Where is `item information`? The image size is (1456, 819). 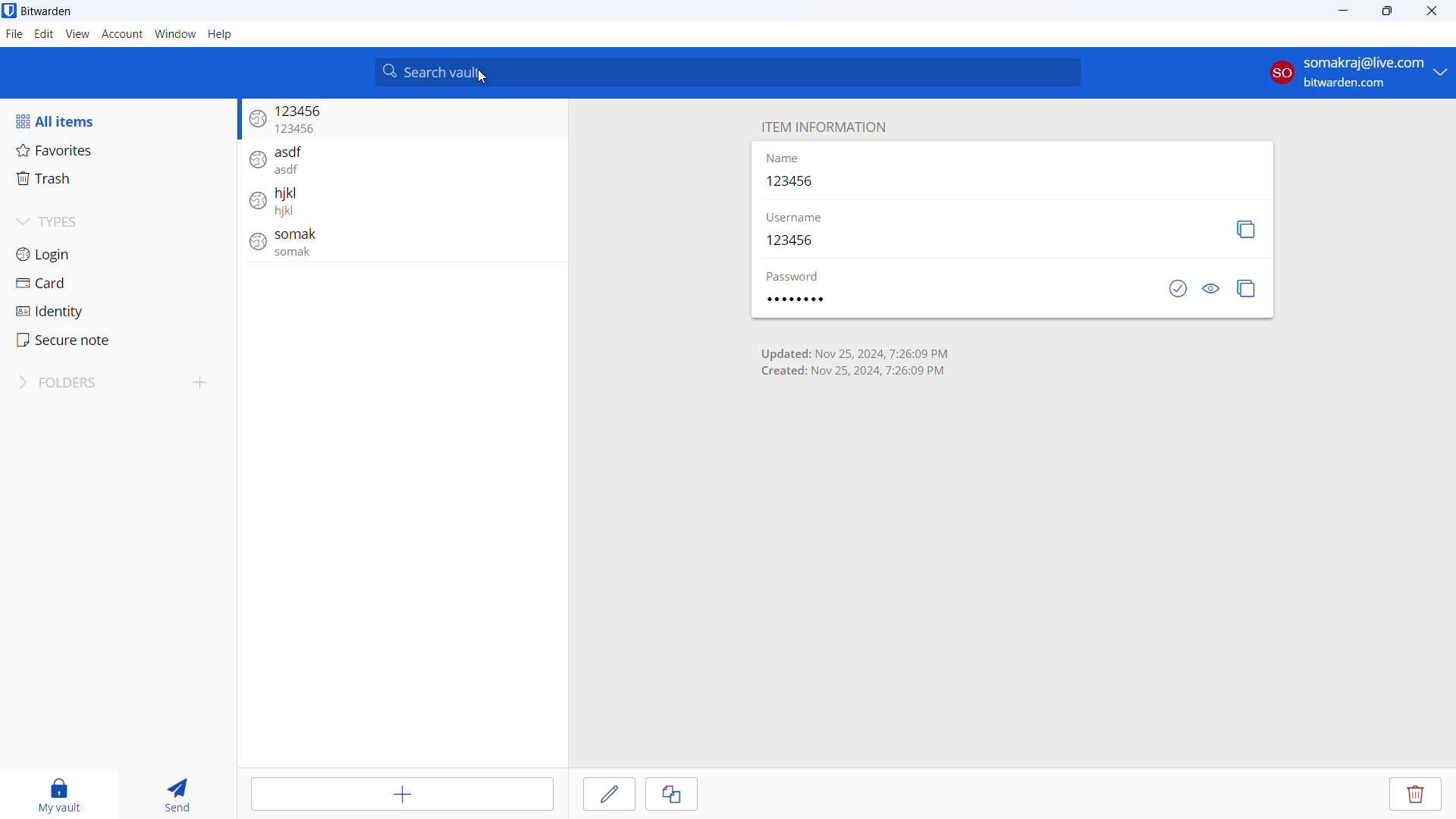 item information is located at coordinates (822, 127).